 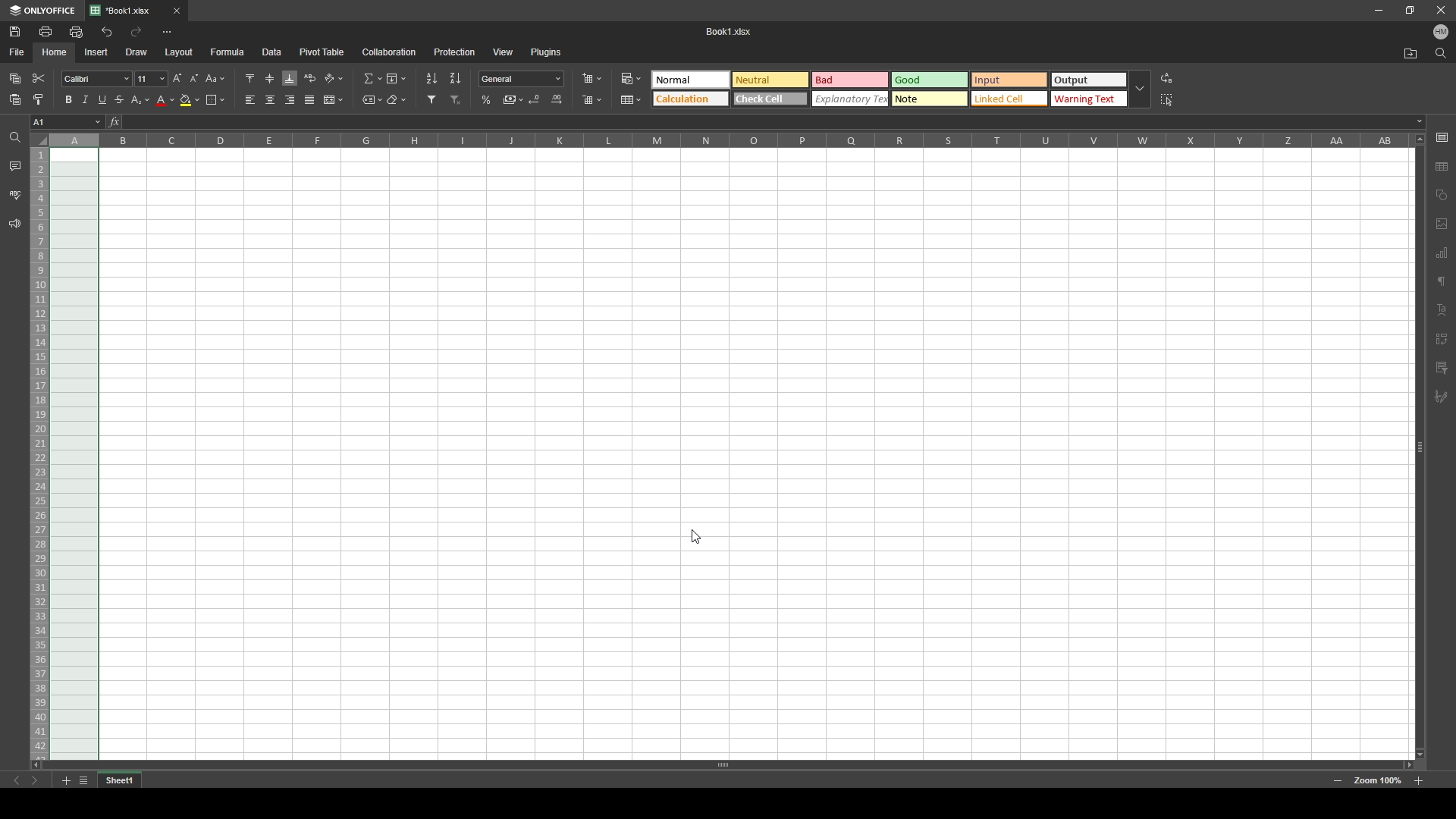 What do you see at coordinates (1441, 282) in the screenshot?
I see `paragraph` at bounding box center [1441, 282].